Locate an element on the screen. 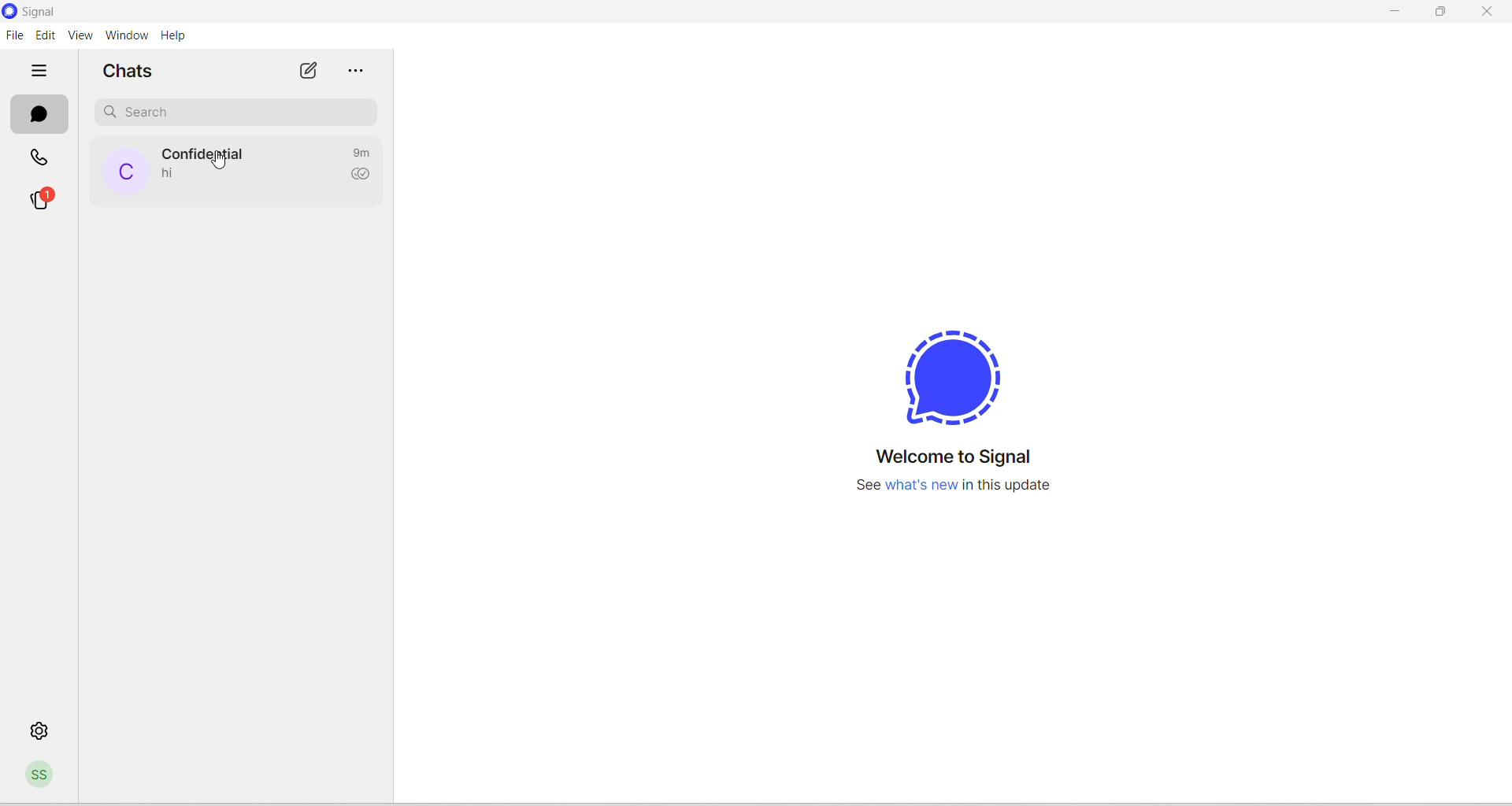  last message is located at coordinates (171, 174).